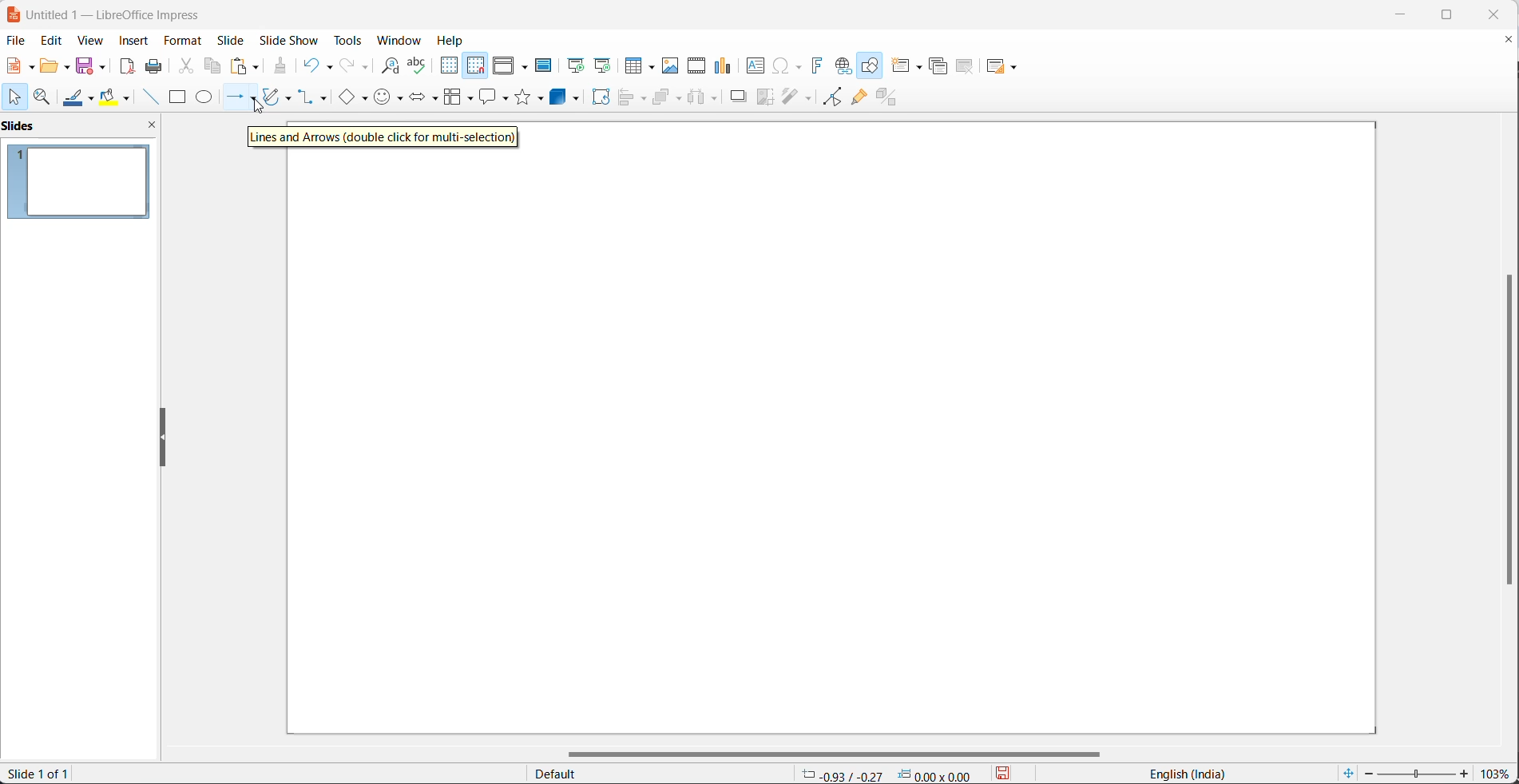 This screenshot has width=1519, height=784. I want to click on display grid, so click(449, 68).